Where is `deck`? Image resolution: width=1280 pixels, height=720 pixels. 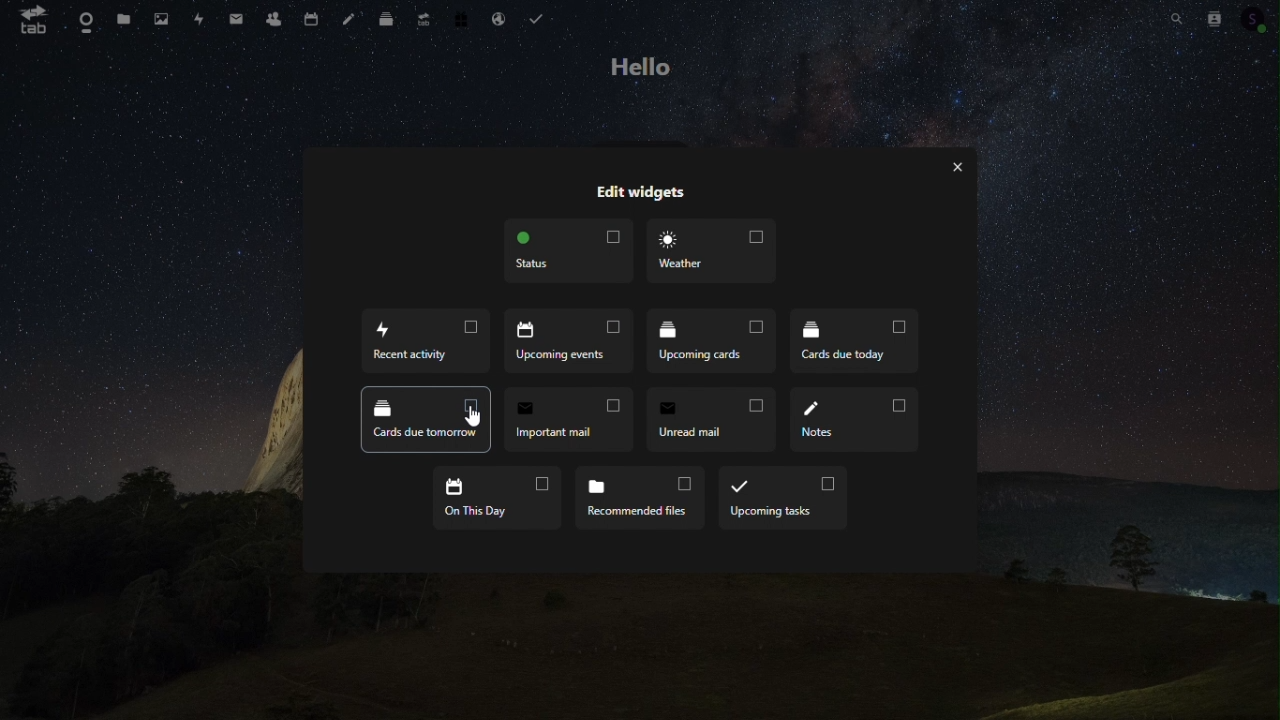 deck is located at coordinates (383, 17).